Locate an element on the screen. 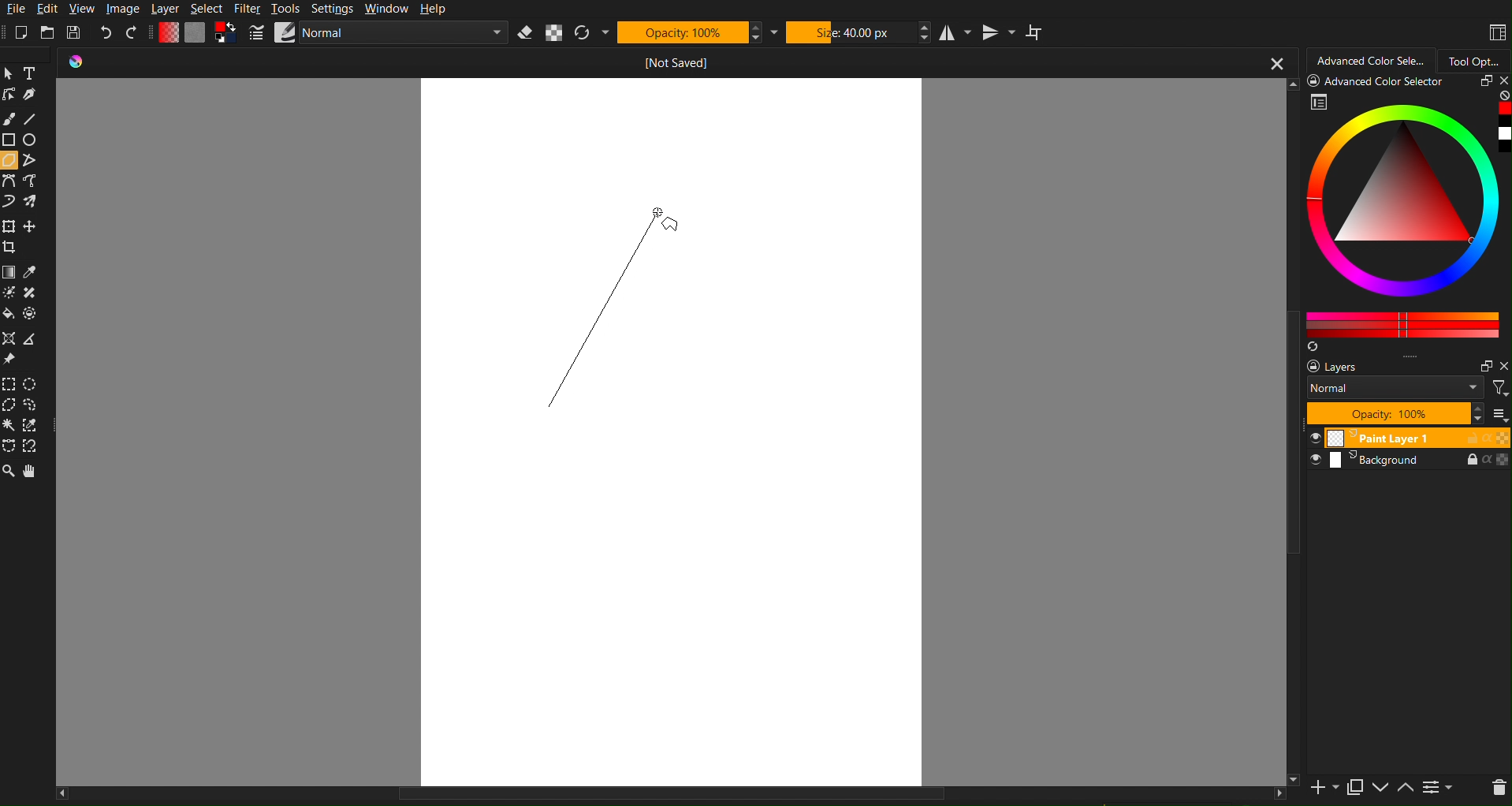 Image resolution: width=1512 pixels, height=806 pixels. ellipse tool is located at coordinates (33, 140).